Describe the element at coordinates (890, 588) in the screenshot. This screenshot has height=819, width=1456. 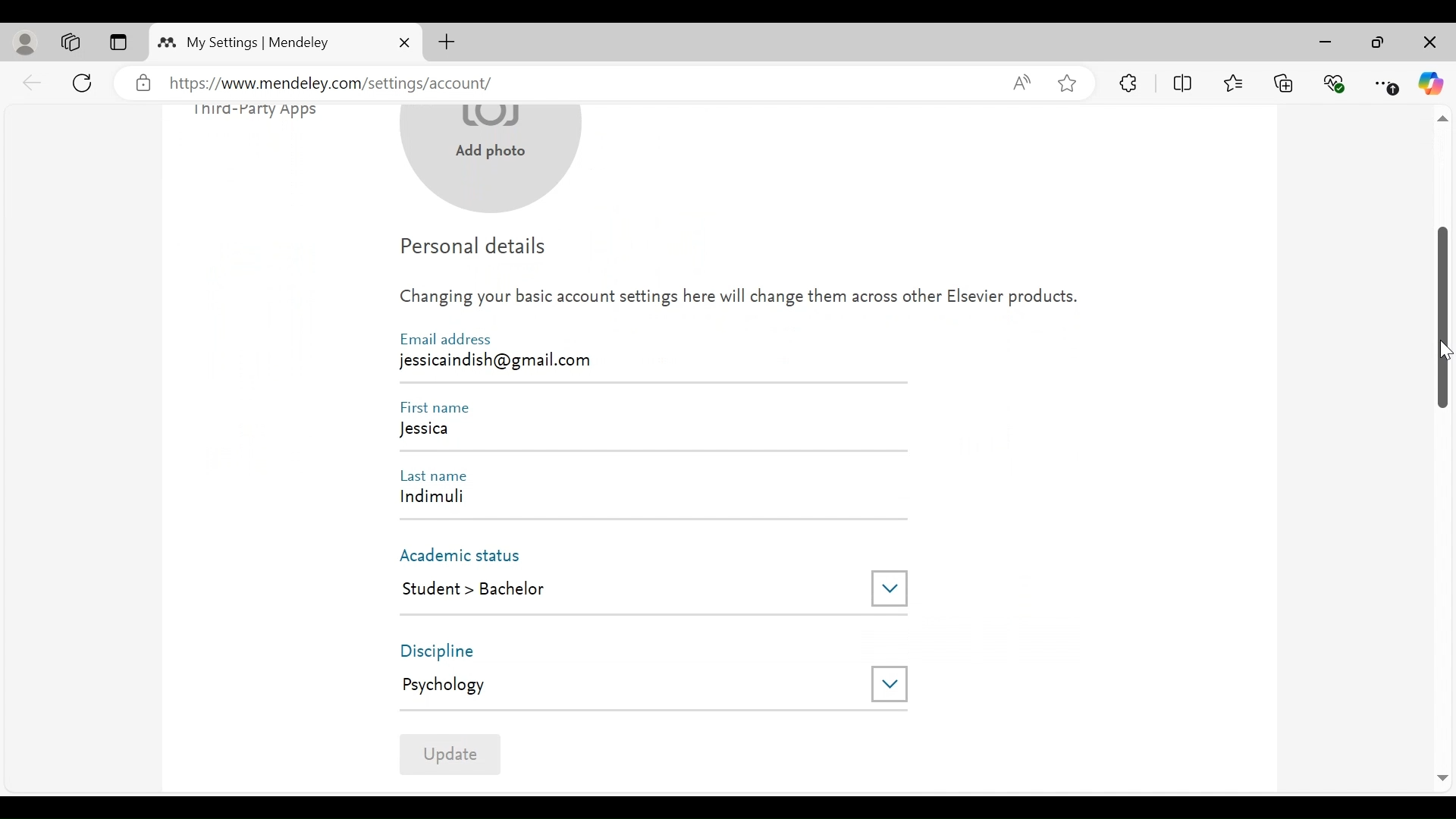
I see `Drop down` at that location.